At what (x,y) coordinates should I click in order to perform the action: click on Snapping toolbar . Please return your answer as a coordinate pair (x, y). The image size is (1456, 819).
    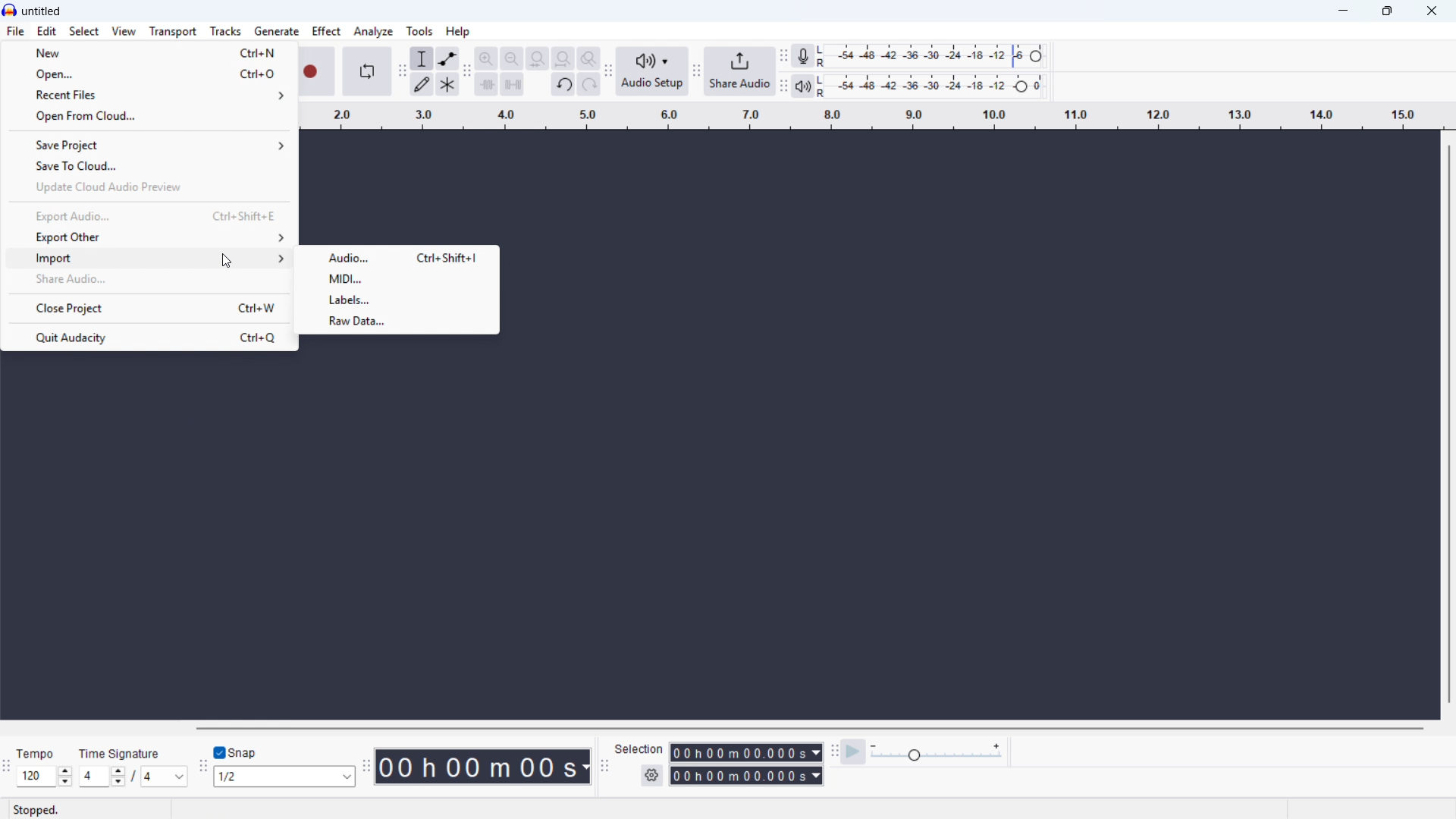
    Looking at the image, I should click on (202, 767).